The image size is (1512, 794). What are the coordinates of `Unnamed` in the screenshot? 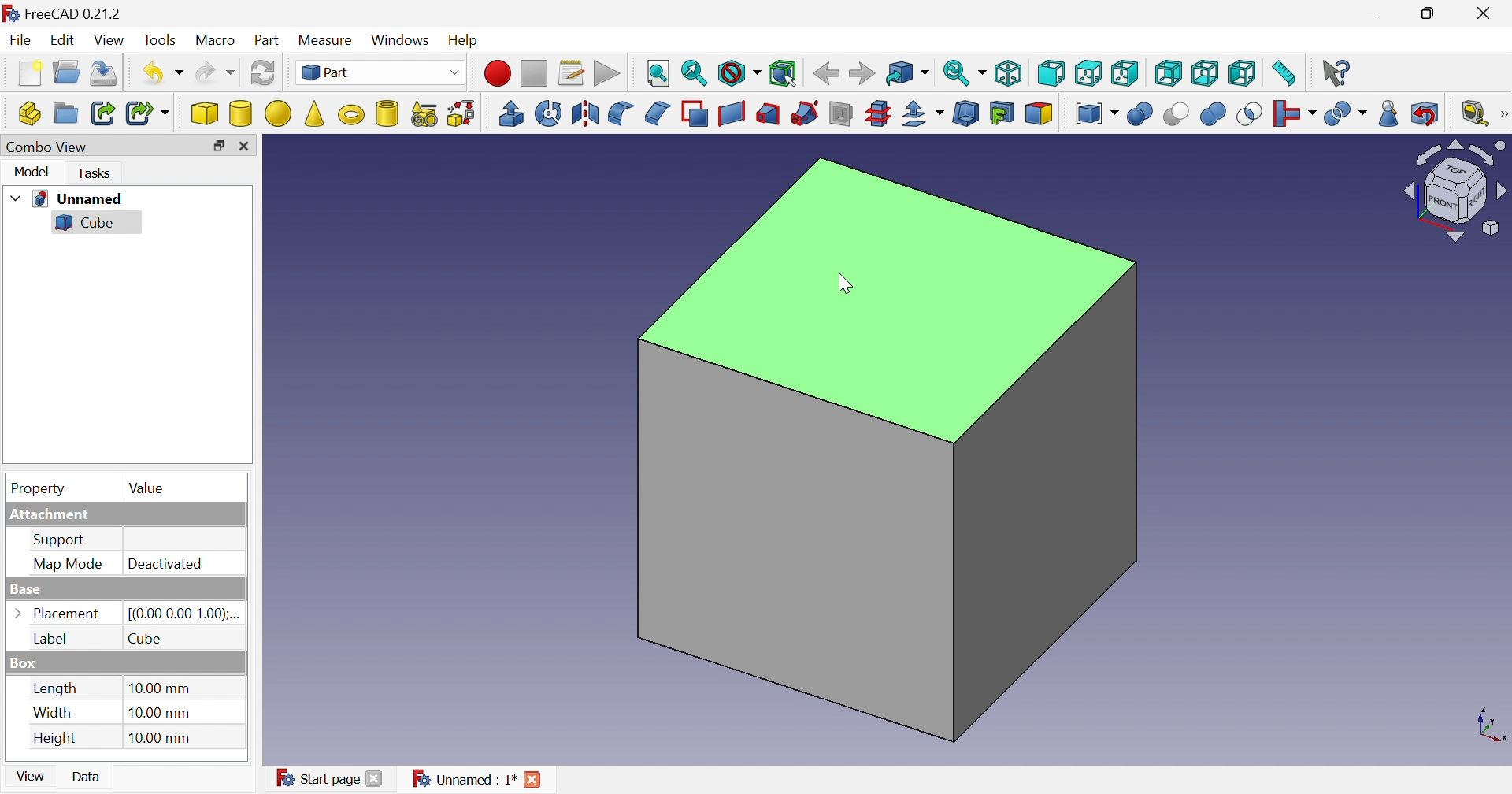 It's located at (81, 199).